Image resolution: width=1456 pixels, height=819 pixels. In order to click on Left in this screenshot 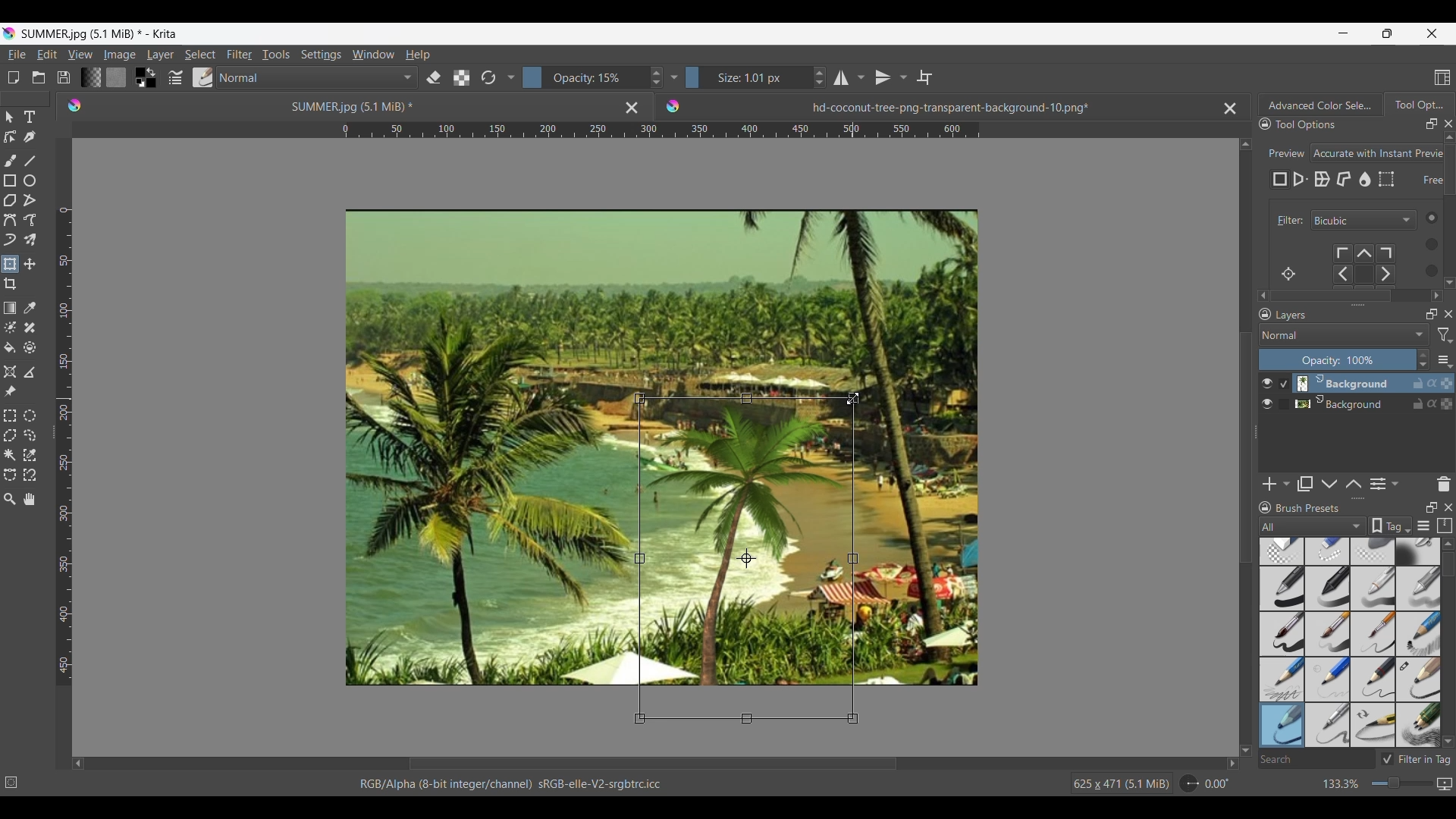, I will do `click(1259, 293)`.